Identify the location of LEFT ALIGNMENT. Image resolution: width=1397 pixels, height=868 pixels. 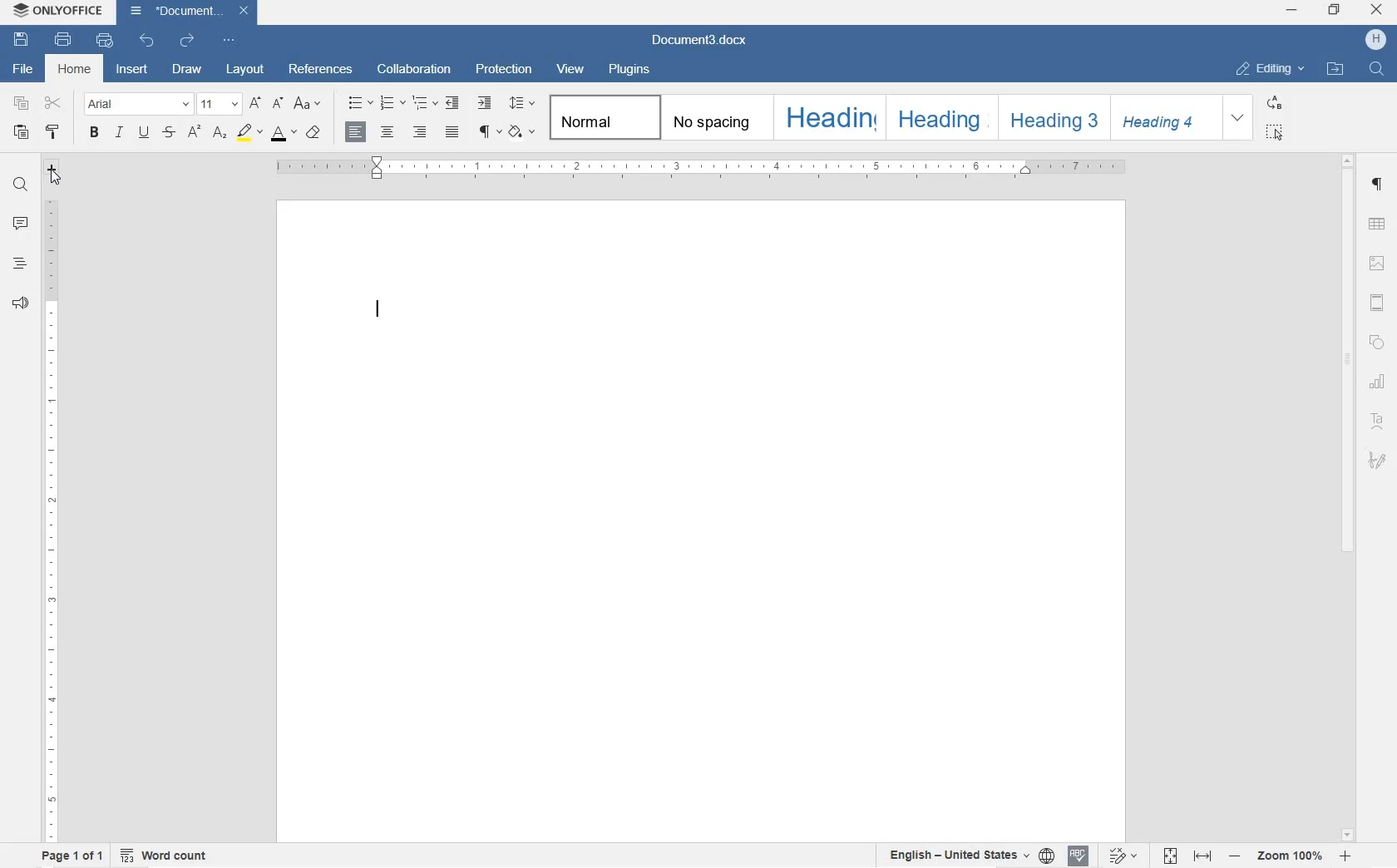
(357, 133).